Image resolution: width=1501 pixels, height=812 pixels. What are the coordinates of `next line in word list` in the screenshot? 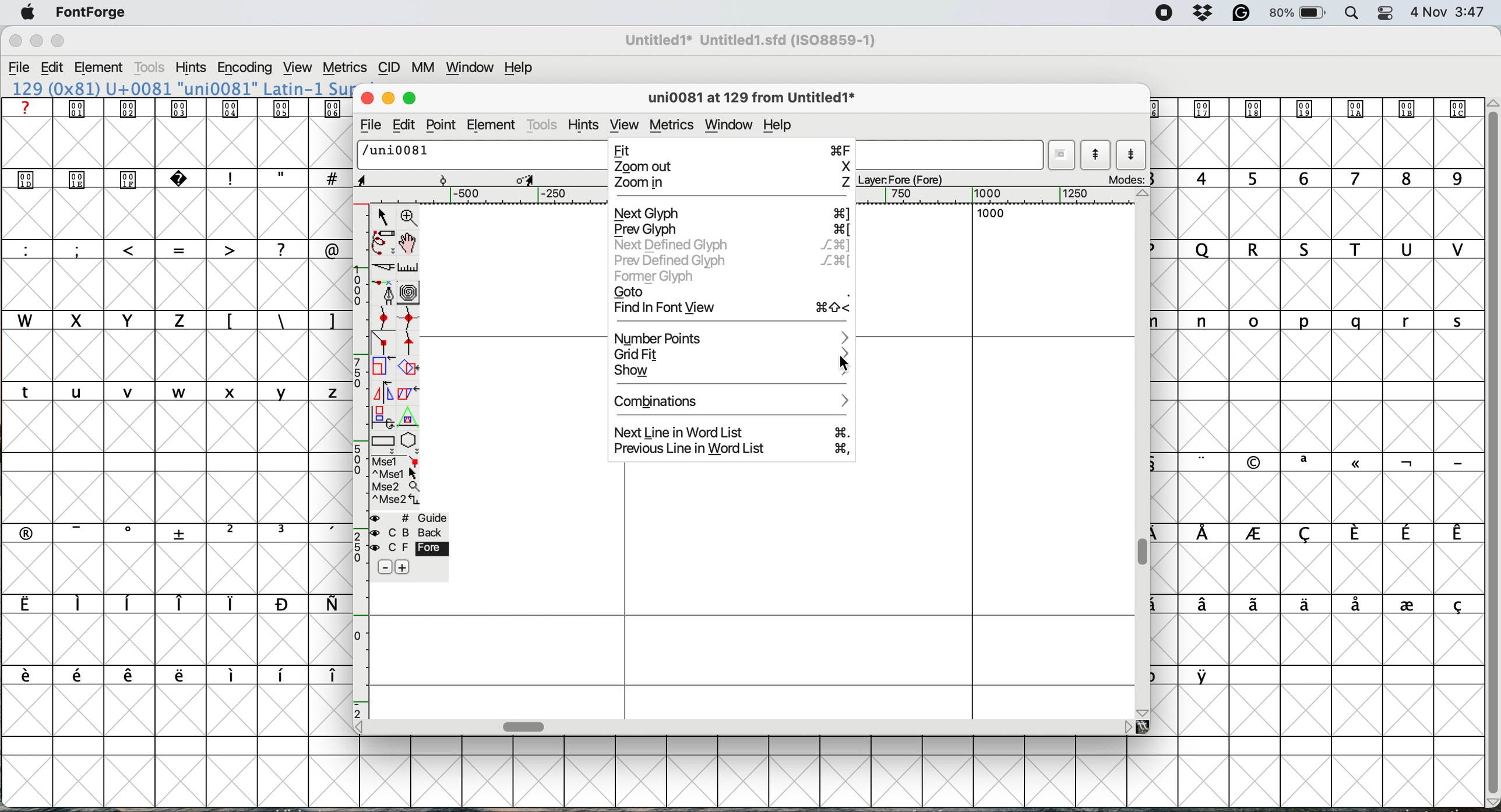 It's located at (732, 433).